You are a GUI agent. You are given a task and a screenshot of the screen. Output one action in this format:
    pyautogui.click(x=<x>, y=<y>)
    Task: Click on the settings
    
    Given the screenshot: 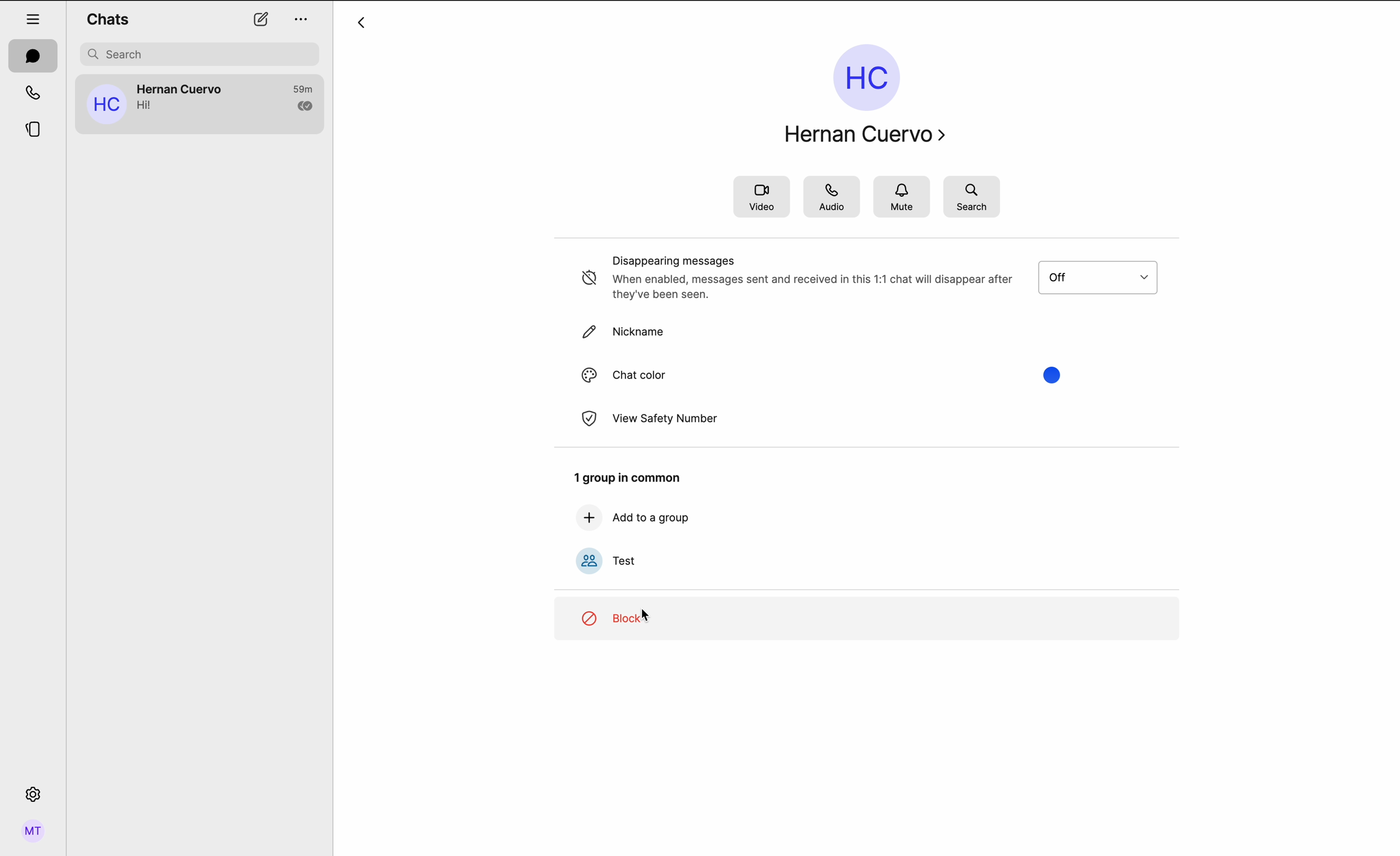 What is the action you would take?
    pyautogui.click(x=34, y=793)
    